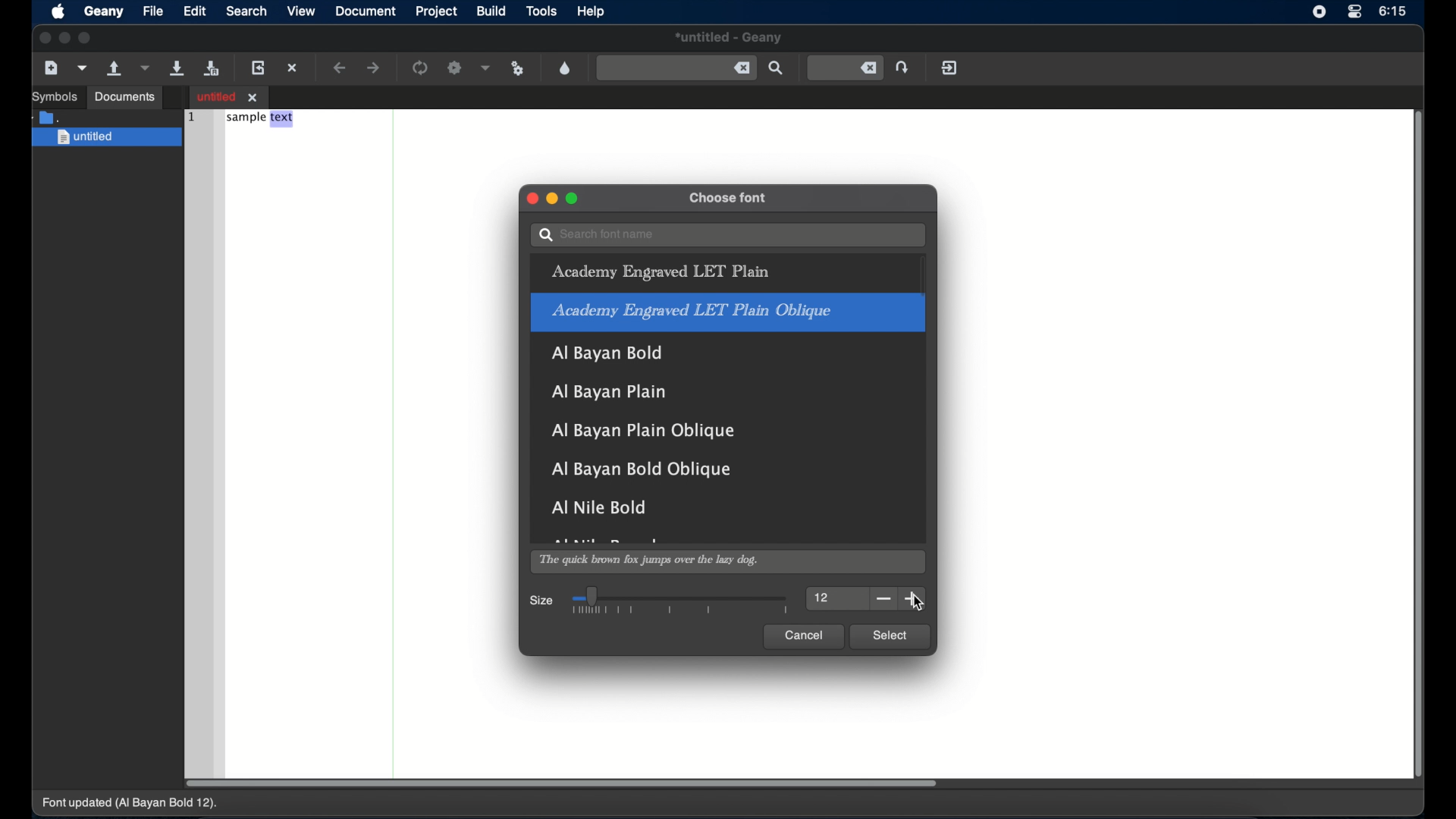  I want to click on screen recorder icon, so click(1319, 13).